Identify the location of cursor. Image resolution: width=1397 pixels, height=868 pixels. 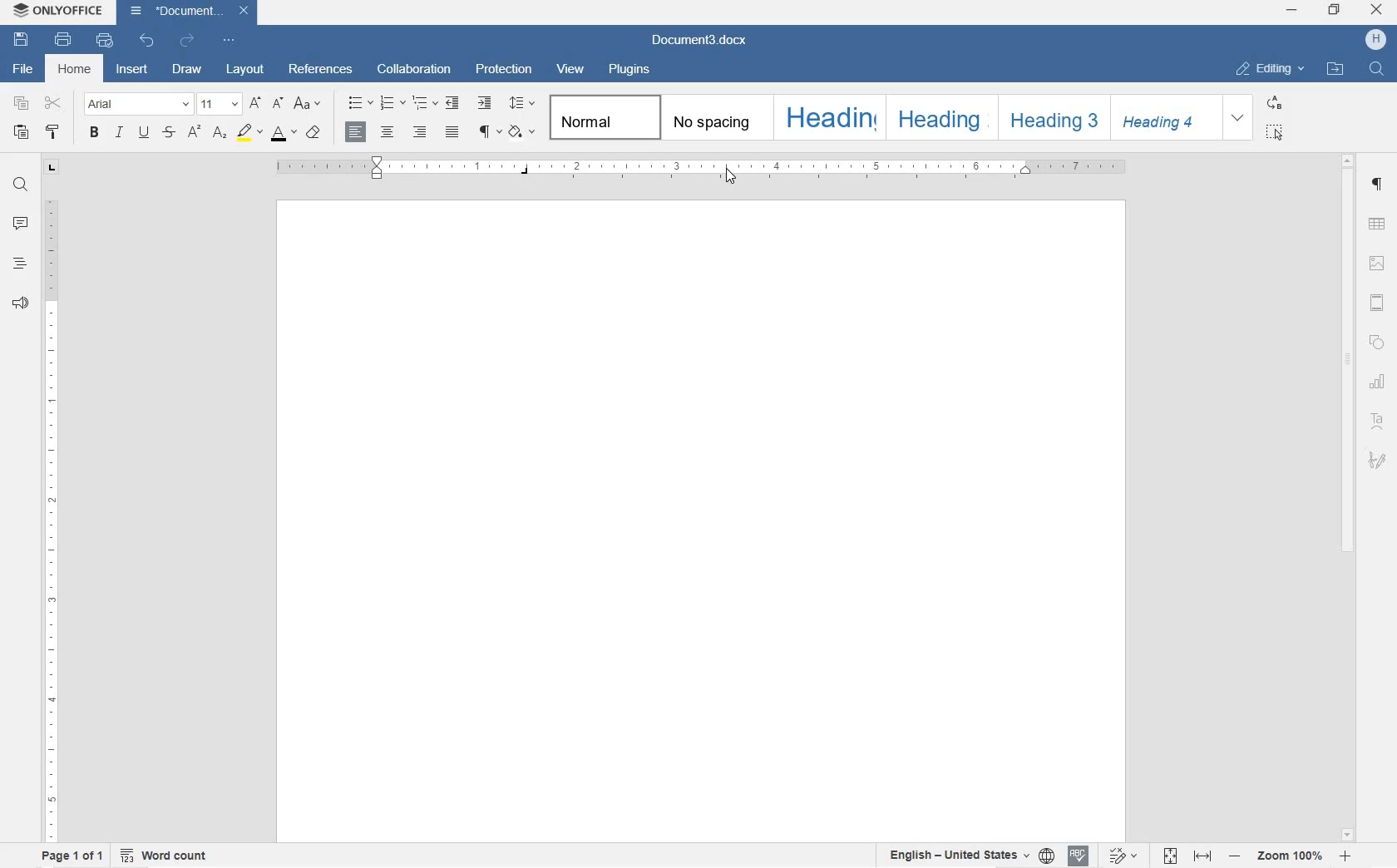
(731, 179).